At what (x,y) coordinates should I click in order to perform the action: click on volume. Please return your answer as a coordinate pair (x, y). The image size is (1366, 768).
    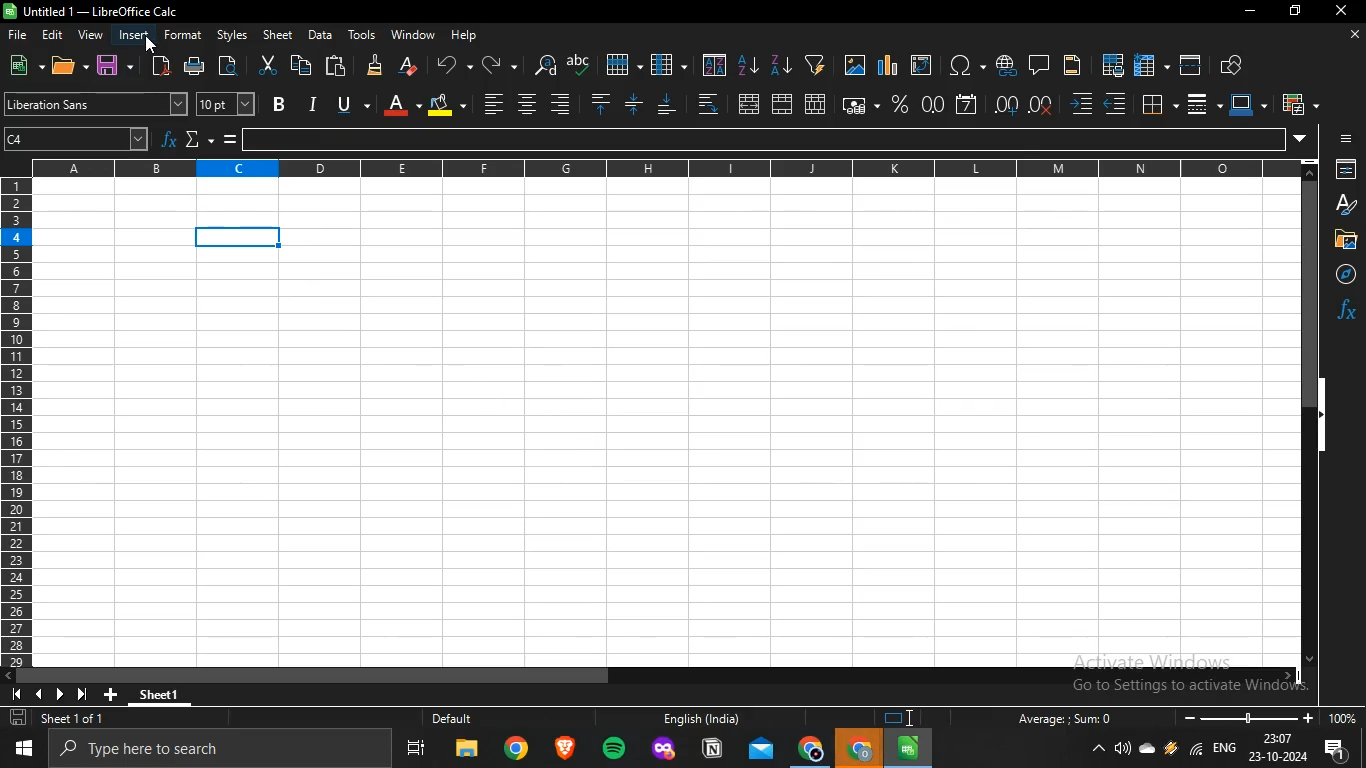
    Looking at the image, I should click on (1123, 749).